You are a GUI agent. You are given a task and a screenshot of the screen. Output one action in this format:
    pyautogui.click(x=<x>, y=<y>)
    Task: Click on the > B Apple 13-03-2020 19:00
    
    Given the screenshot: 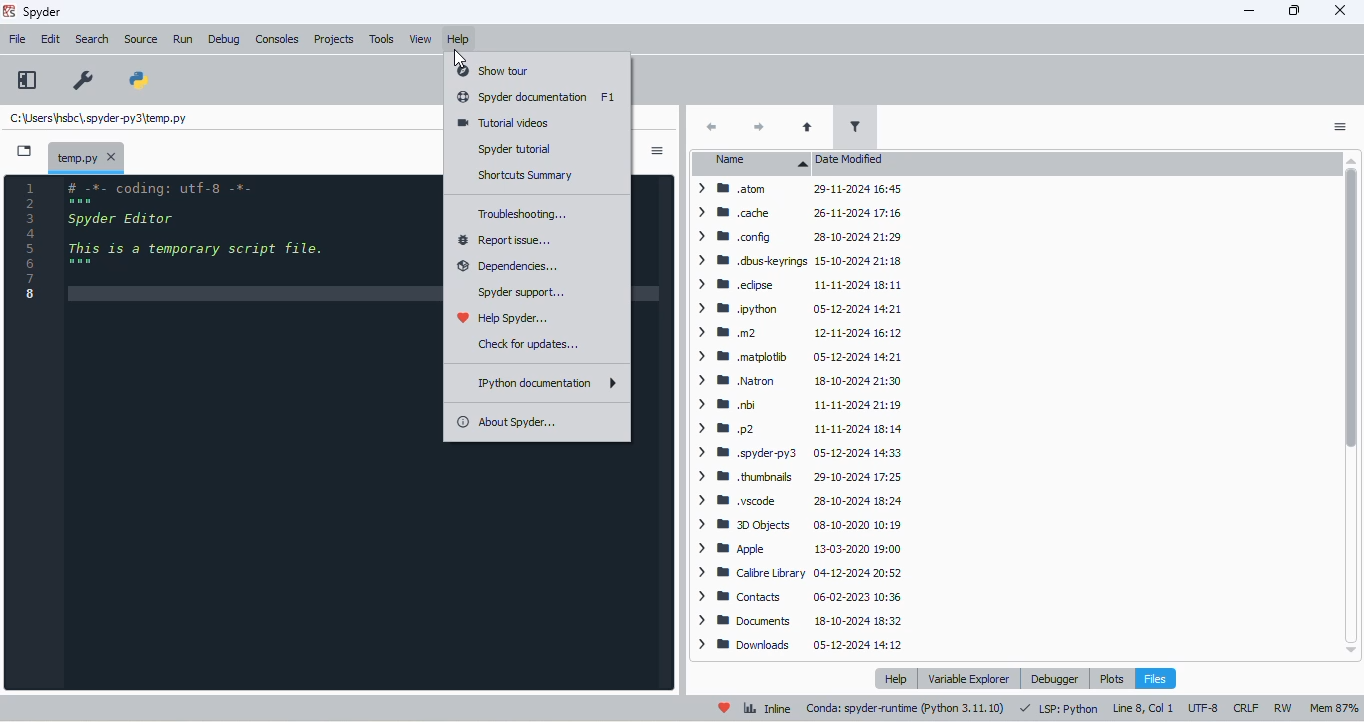 What is the action you would take?
    pyautogui.click(x=795, y=547)
    